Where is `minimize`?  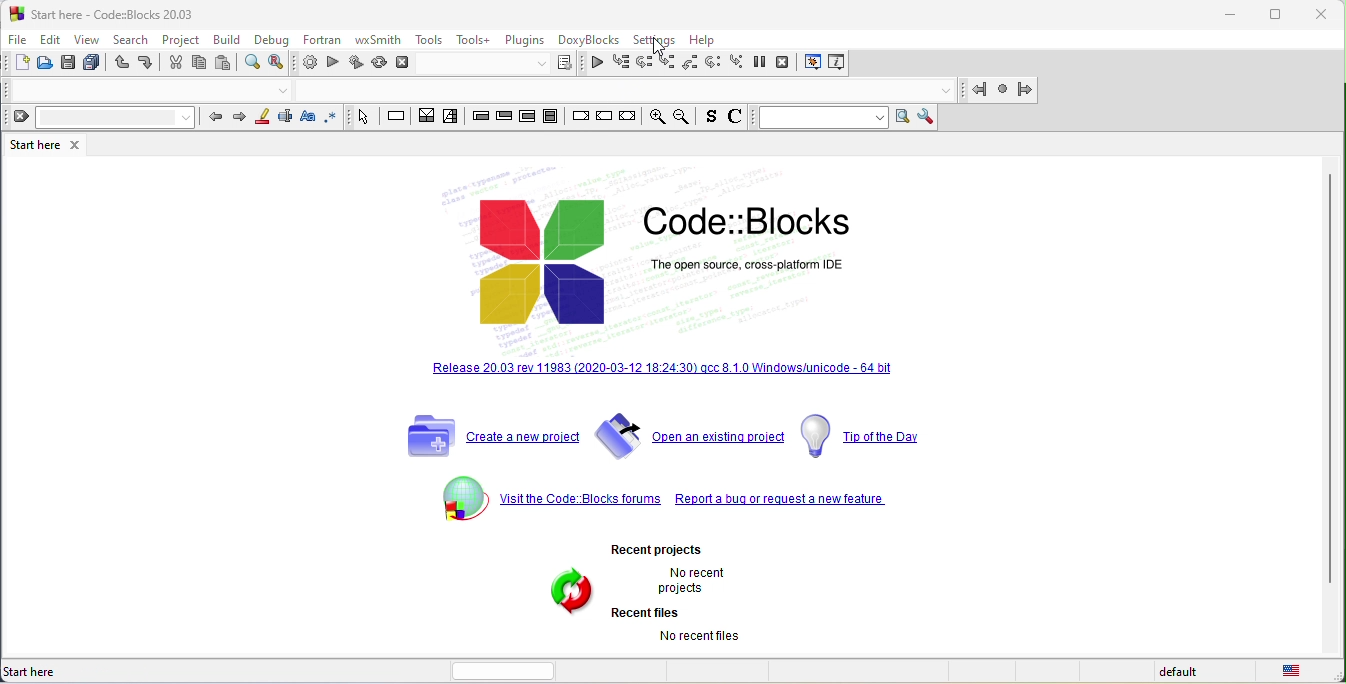
minimize is located at coordinates (1233, 16).